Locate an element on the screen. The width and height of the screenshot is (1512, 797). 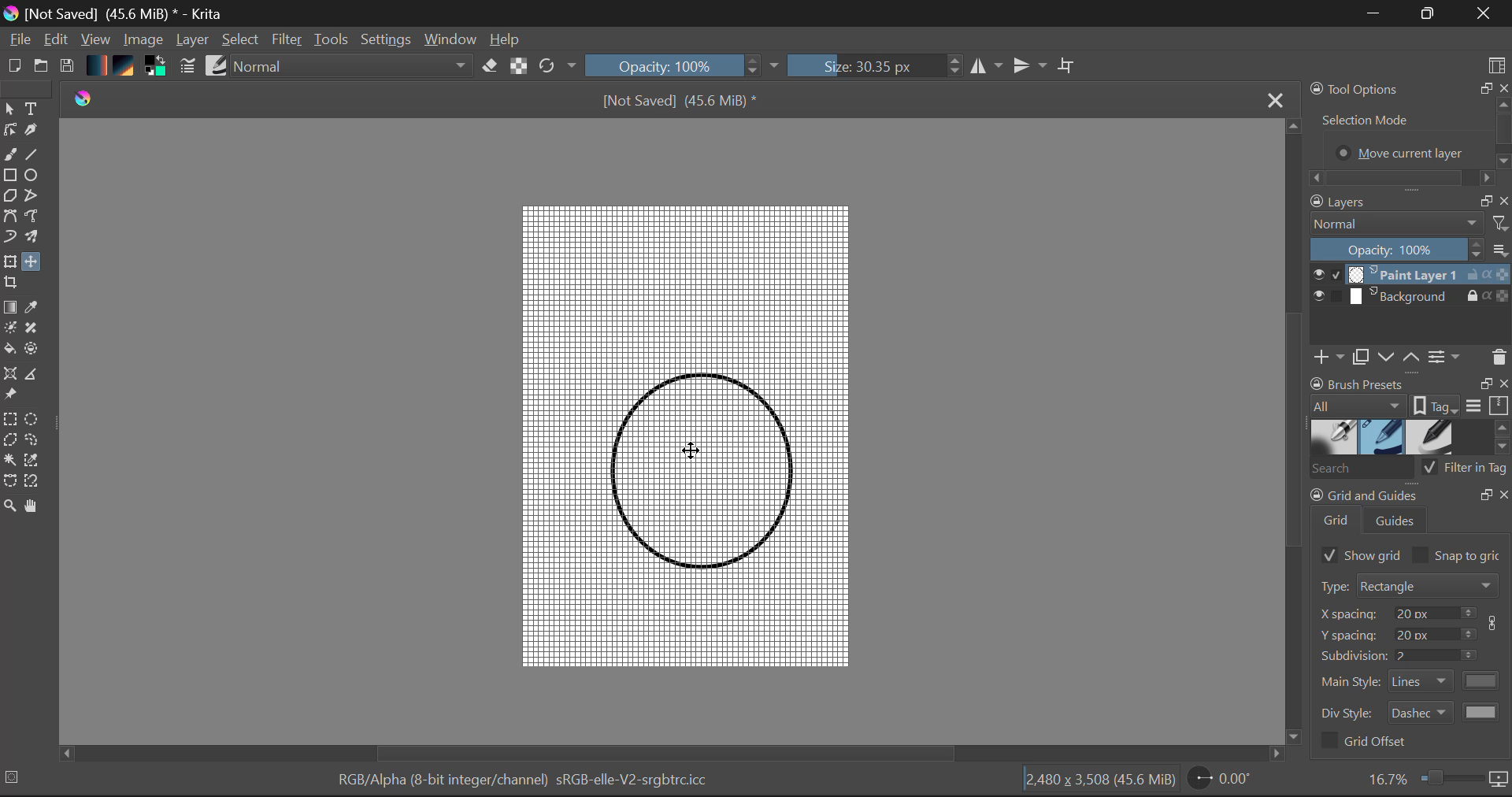
Brush Stroke Opacity is located at coordinates (677, 65).